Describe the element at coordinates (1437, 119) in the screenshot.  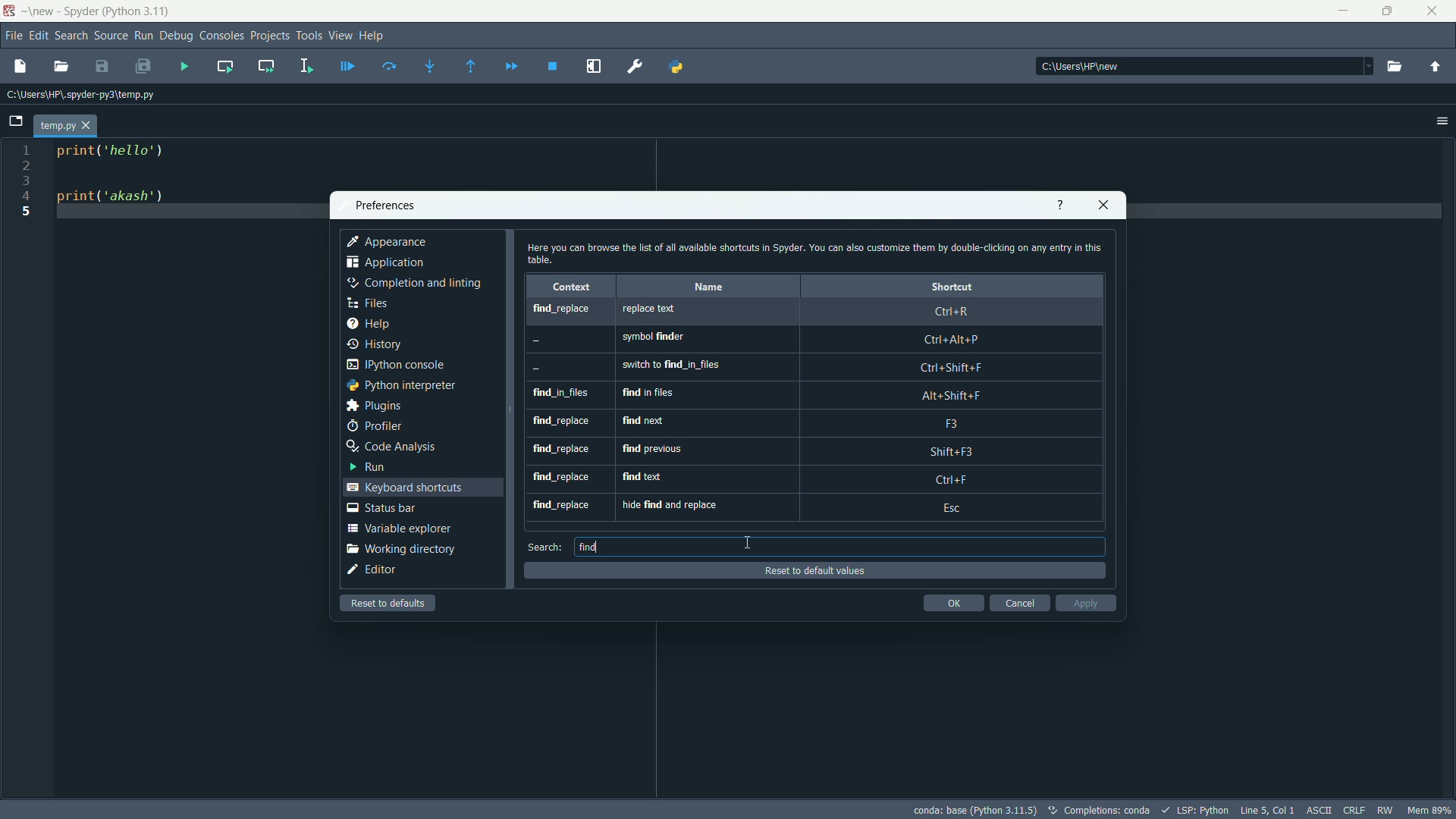
I see `options` at that location.